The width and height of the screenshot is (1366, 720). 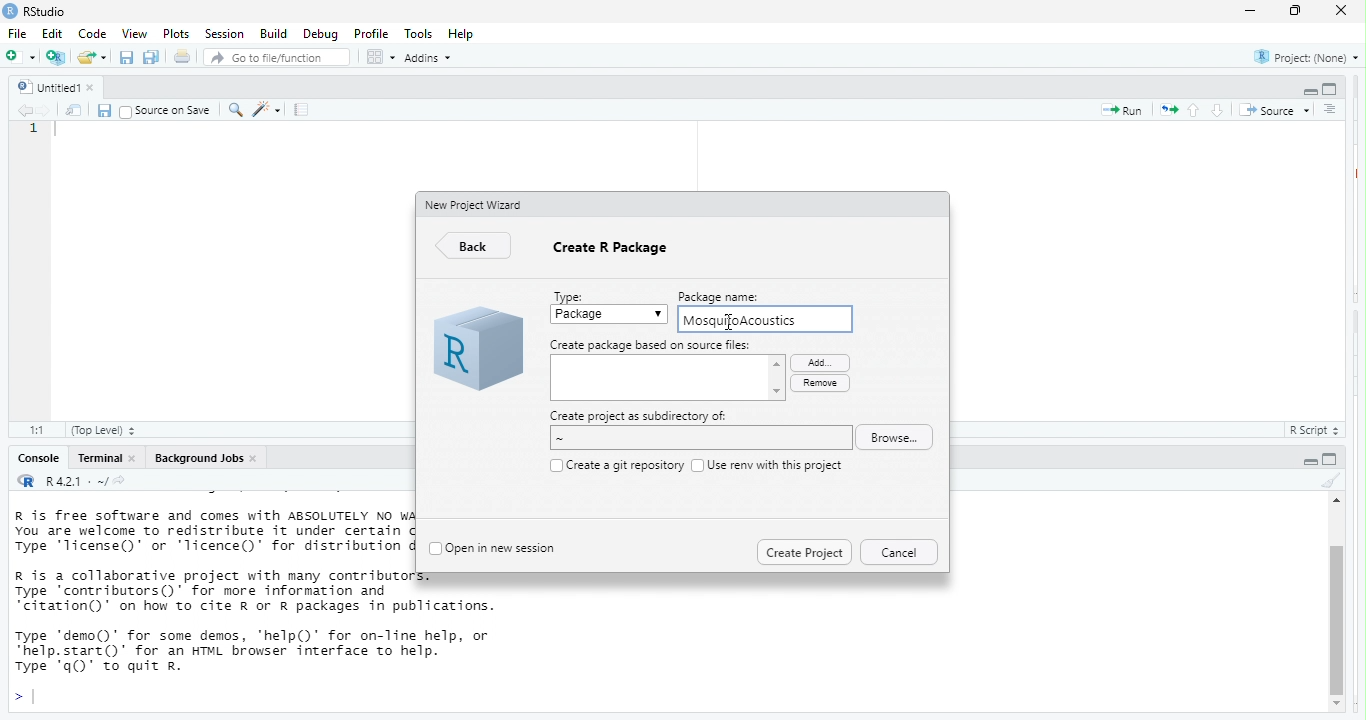 What do you see at coordinates (505, 546) in the screenshot?
I see `Open in new session` at bounding box center [505, 546].